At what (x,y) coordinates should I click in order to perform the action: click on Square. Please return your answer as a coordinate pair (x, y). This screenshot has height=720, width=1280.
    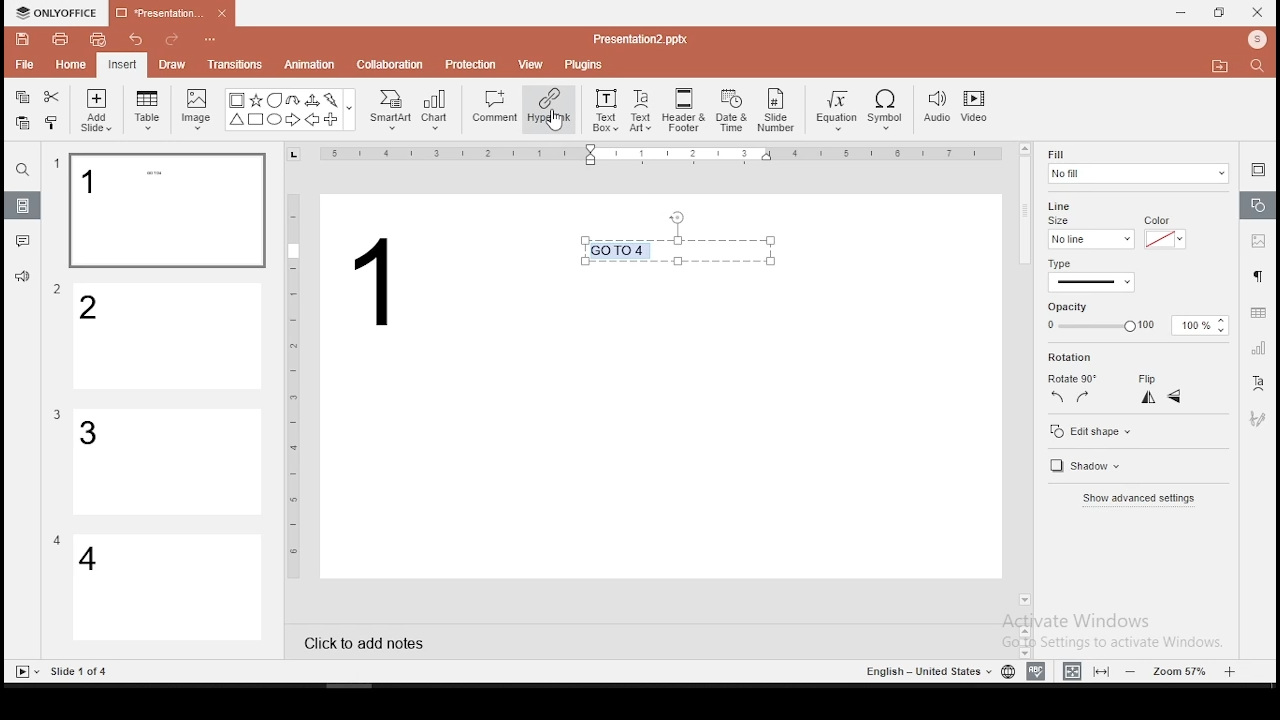
    Looking at the image, I should click on (255, 121).